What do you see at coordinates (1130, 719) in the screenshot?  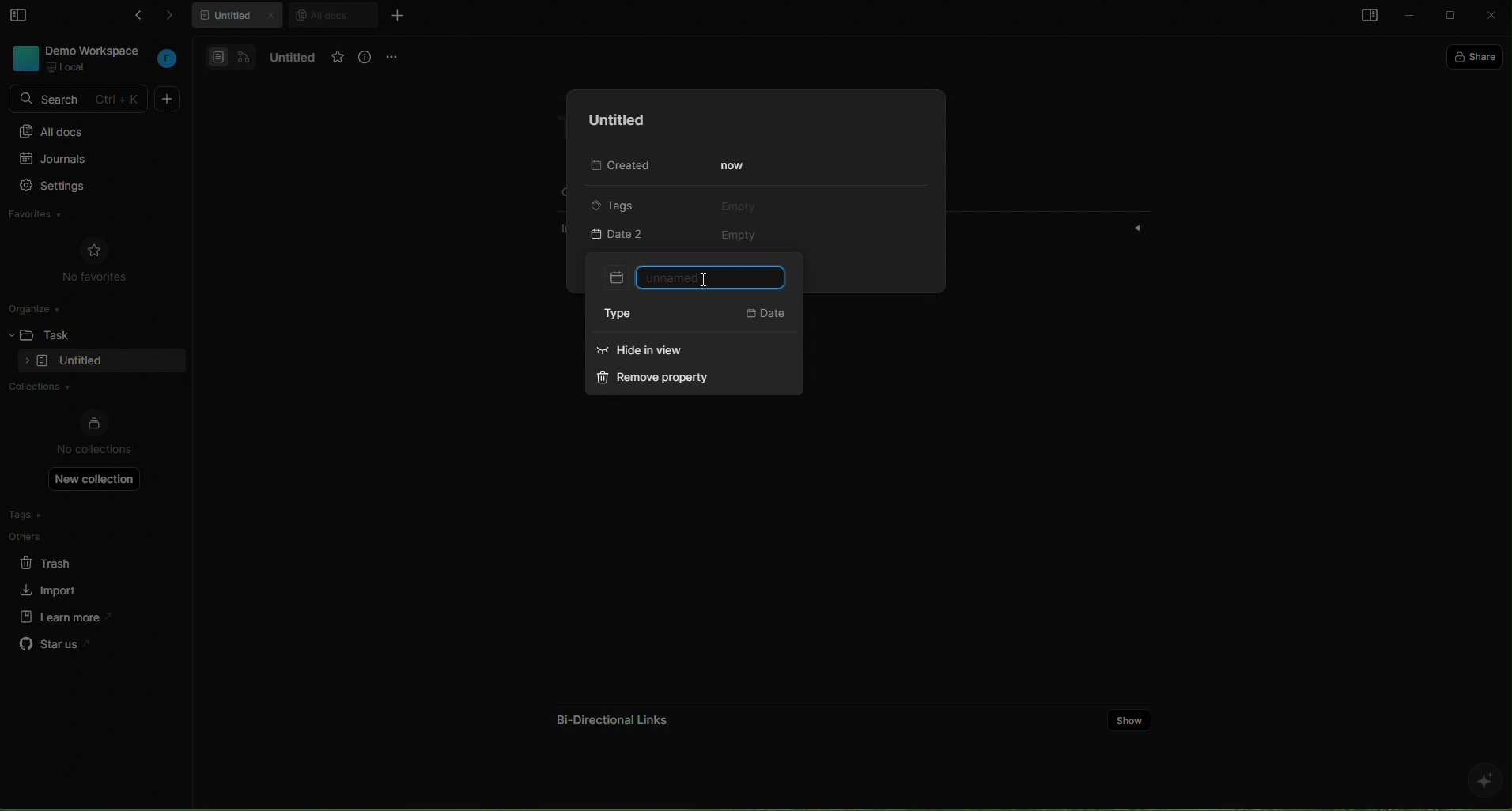 I see `show` at bounding box center [1130, 719].